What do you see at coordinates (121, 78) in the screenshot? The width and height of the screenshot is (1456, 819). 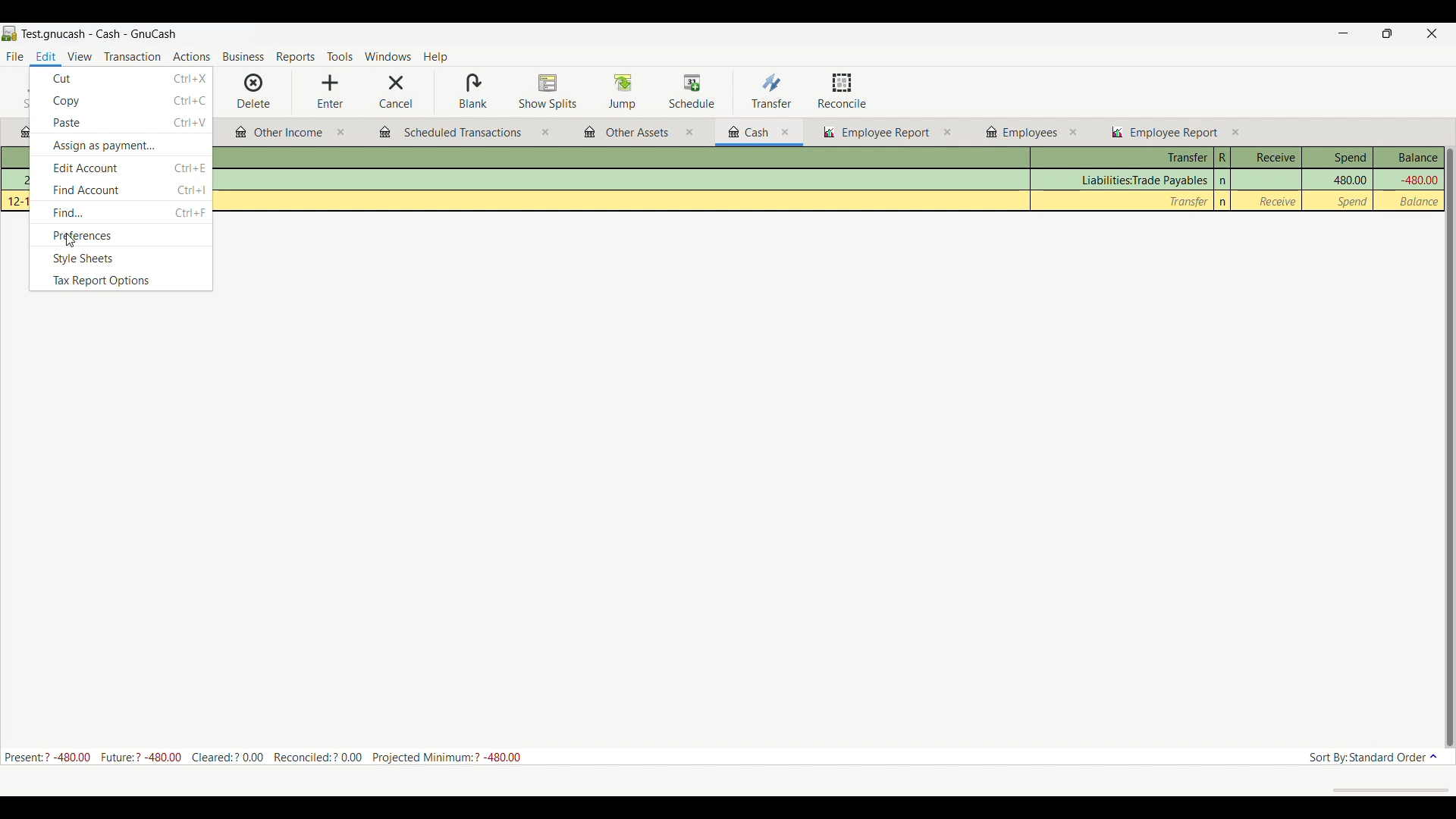 I see `Cut` at bounding box center [121, 78].